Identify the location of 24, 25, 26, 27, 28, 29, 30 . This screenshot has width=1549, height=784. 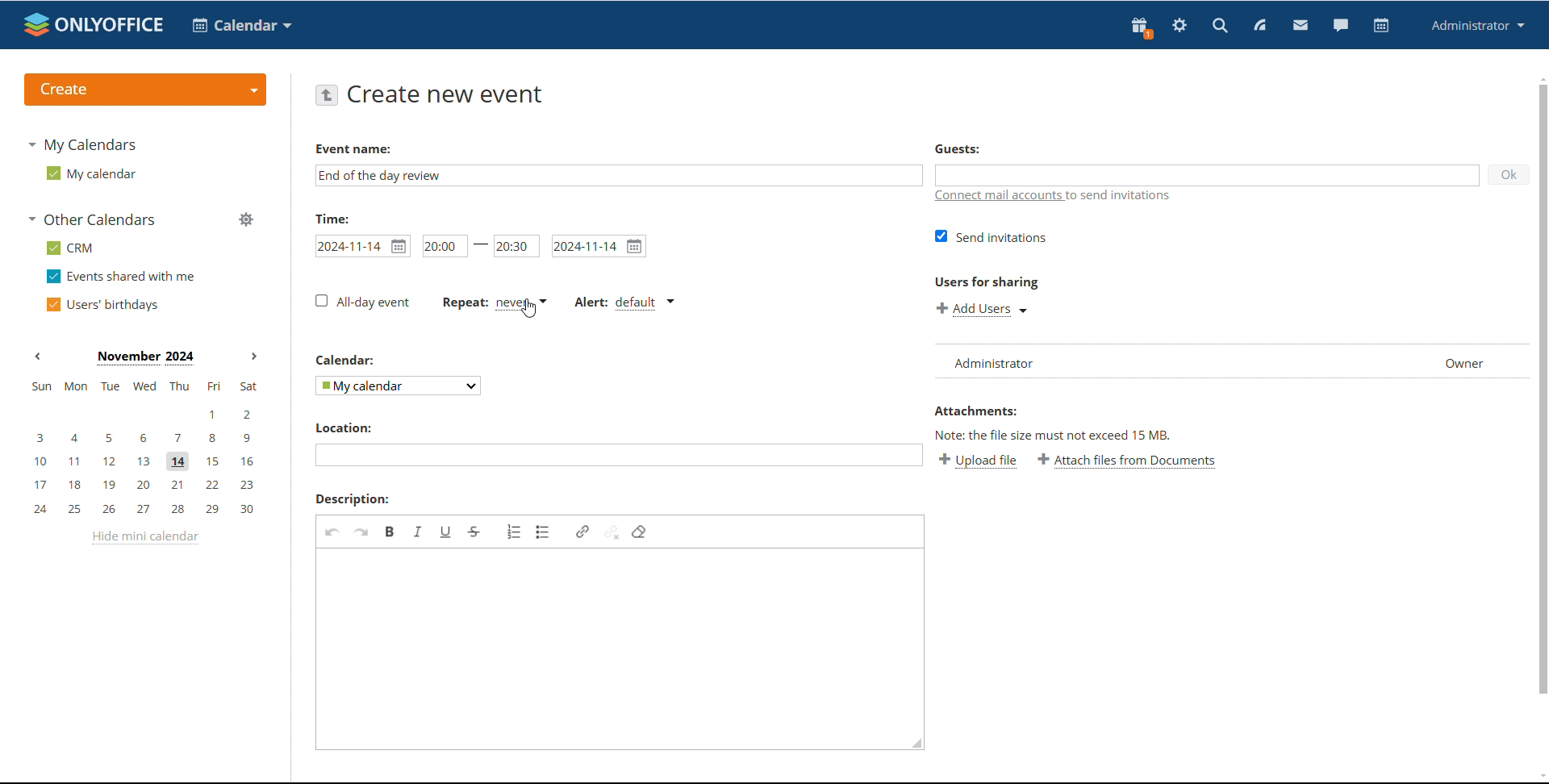
(148, 510).